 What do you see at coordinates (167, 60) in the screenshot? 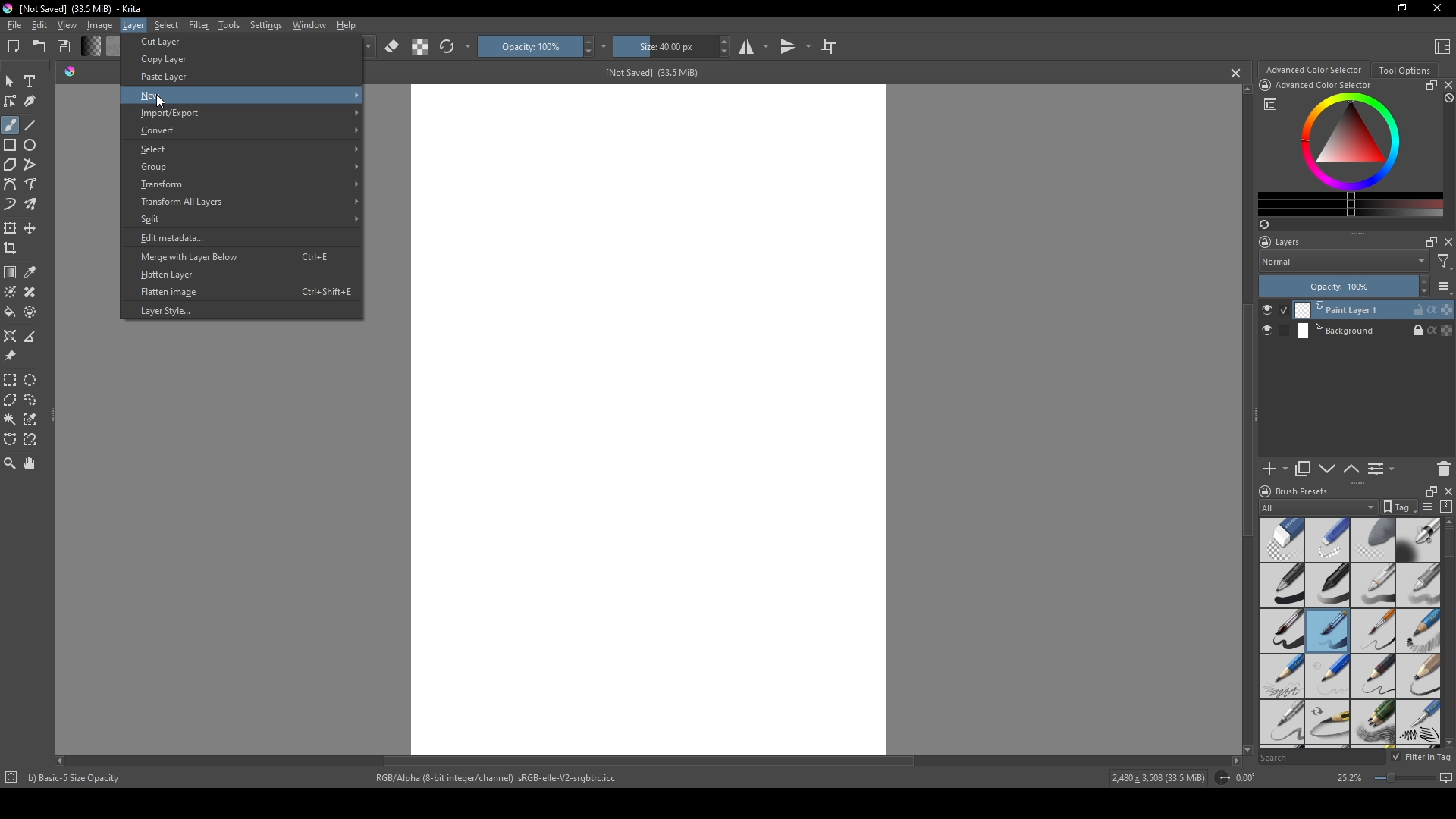
I see `Copy Layer` at bounding box center [167, 60].